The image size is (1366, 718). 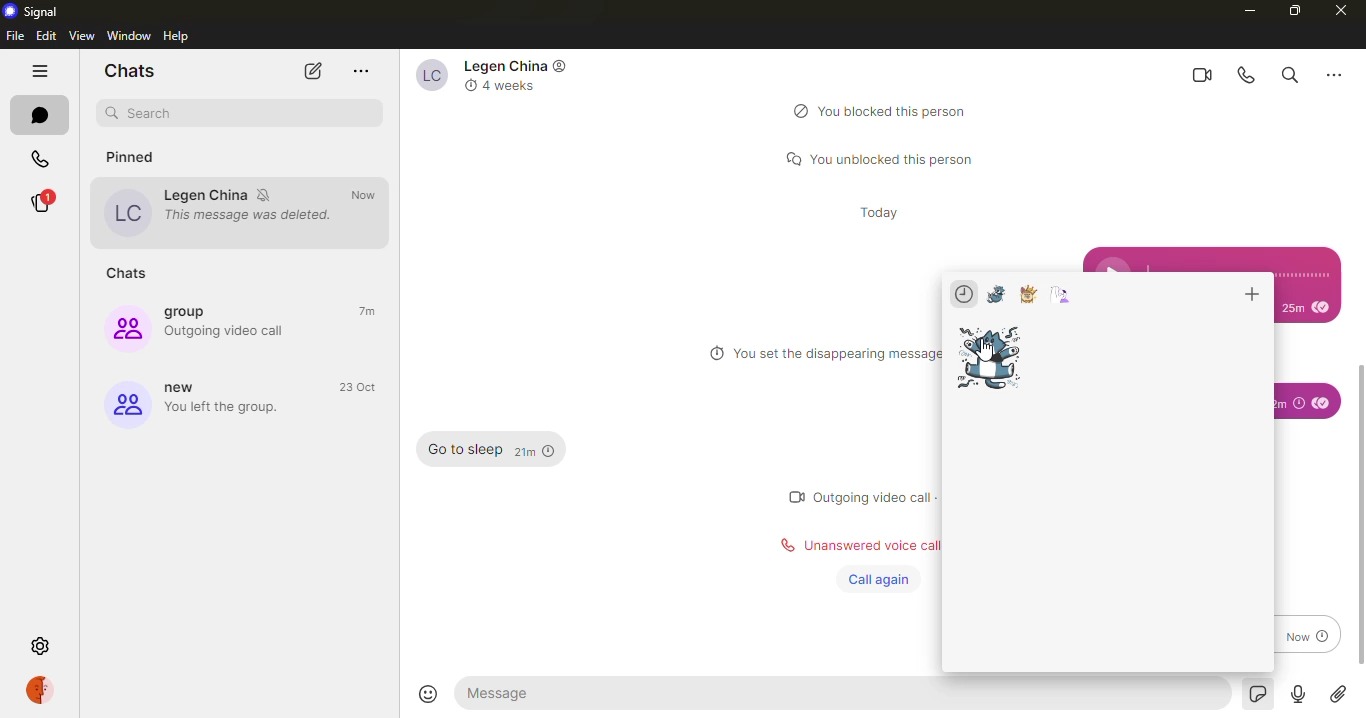 What do you see at coordinates (192, 311) in the screenshot?
I see `group` at bounding box center [192, 311].